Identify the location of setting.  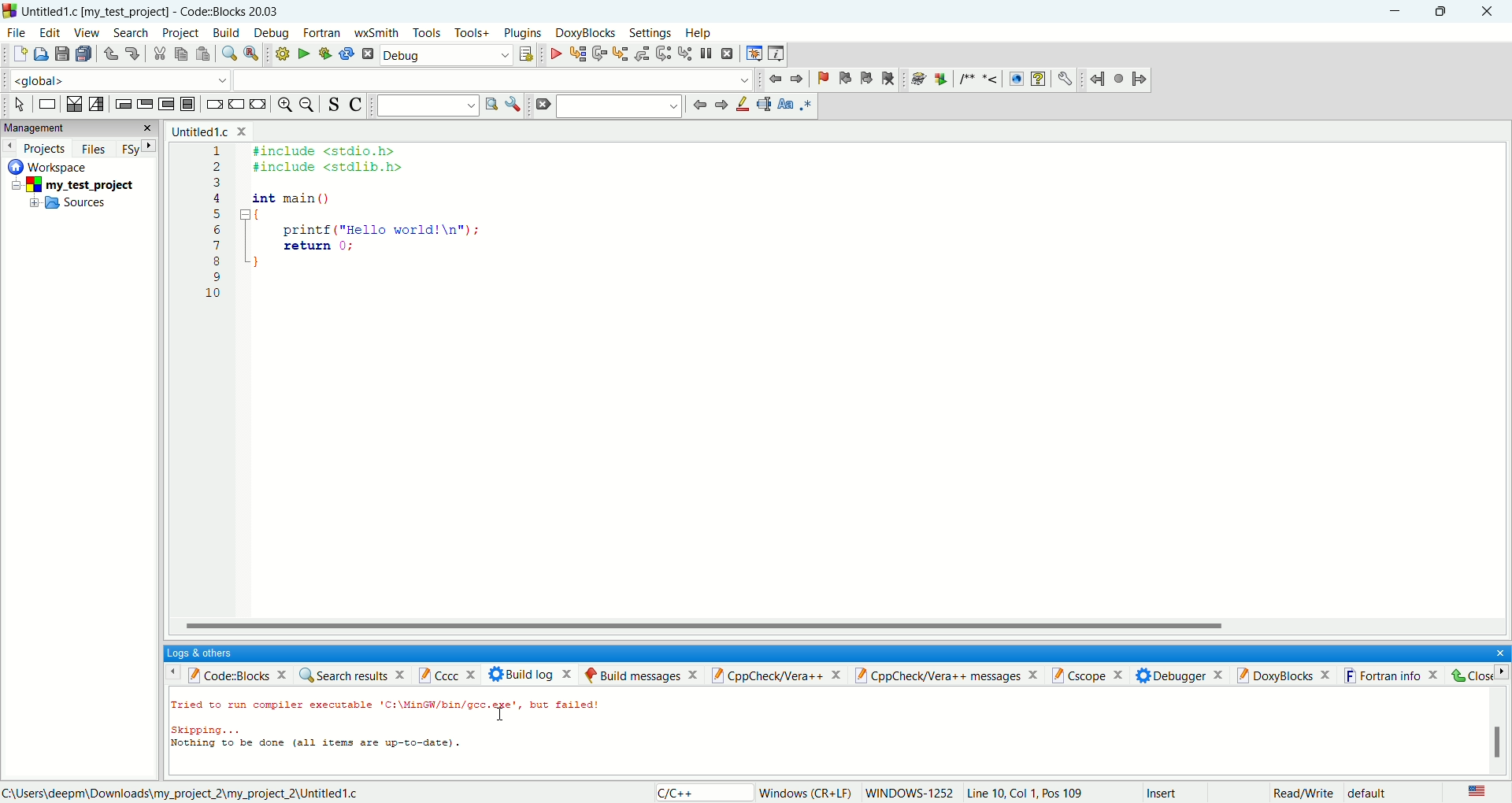
(652, 34).